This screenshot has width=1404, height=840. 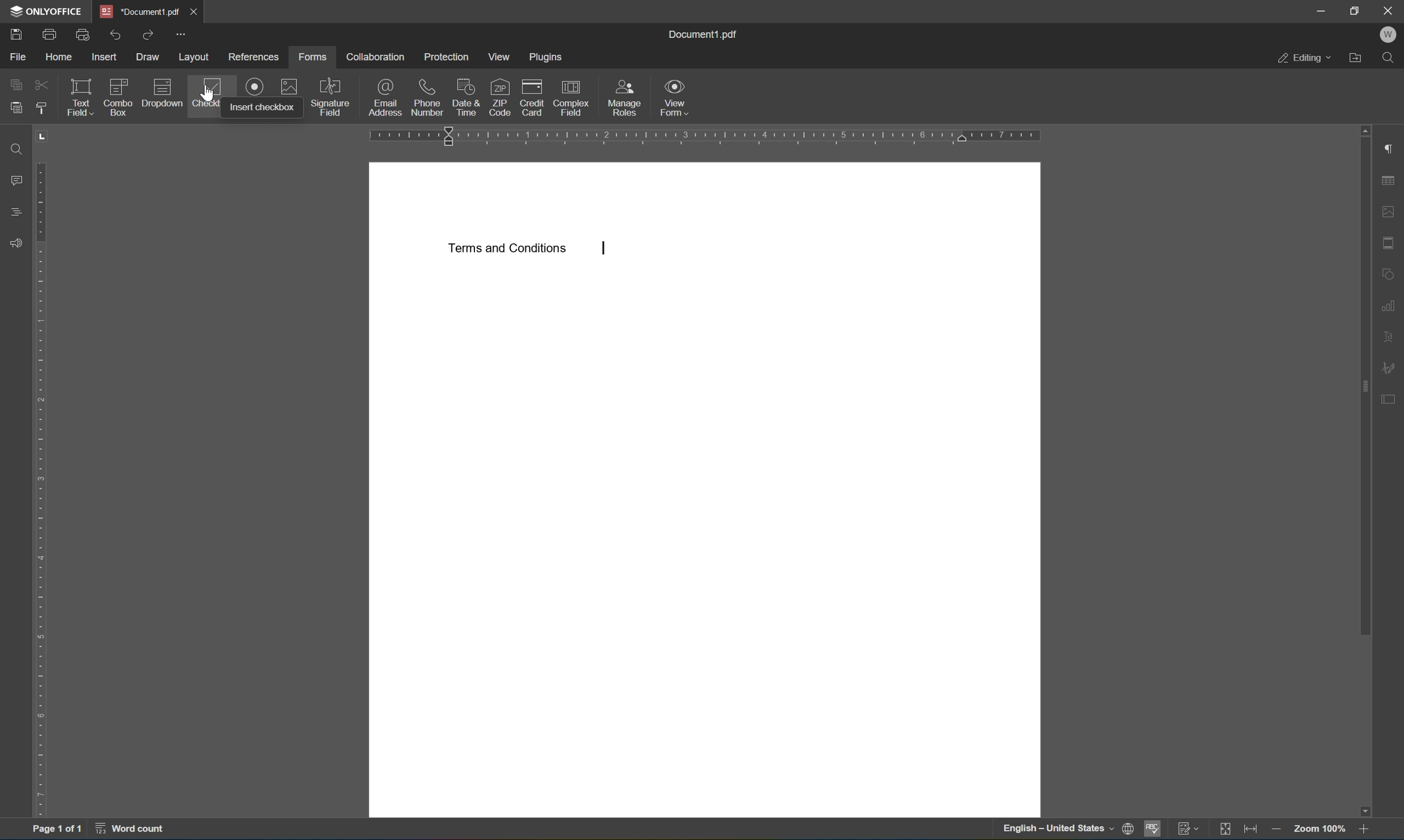 What do you see at coordinates (205, 93) in the screenshot?
I see `checkbox` at bounding box center [205, 93].